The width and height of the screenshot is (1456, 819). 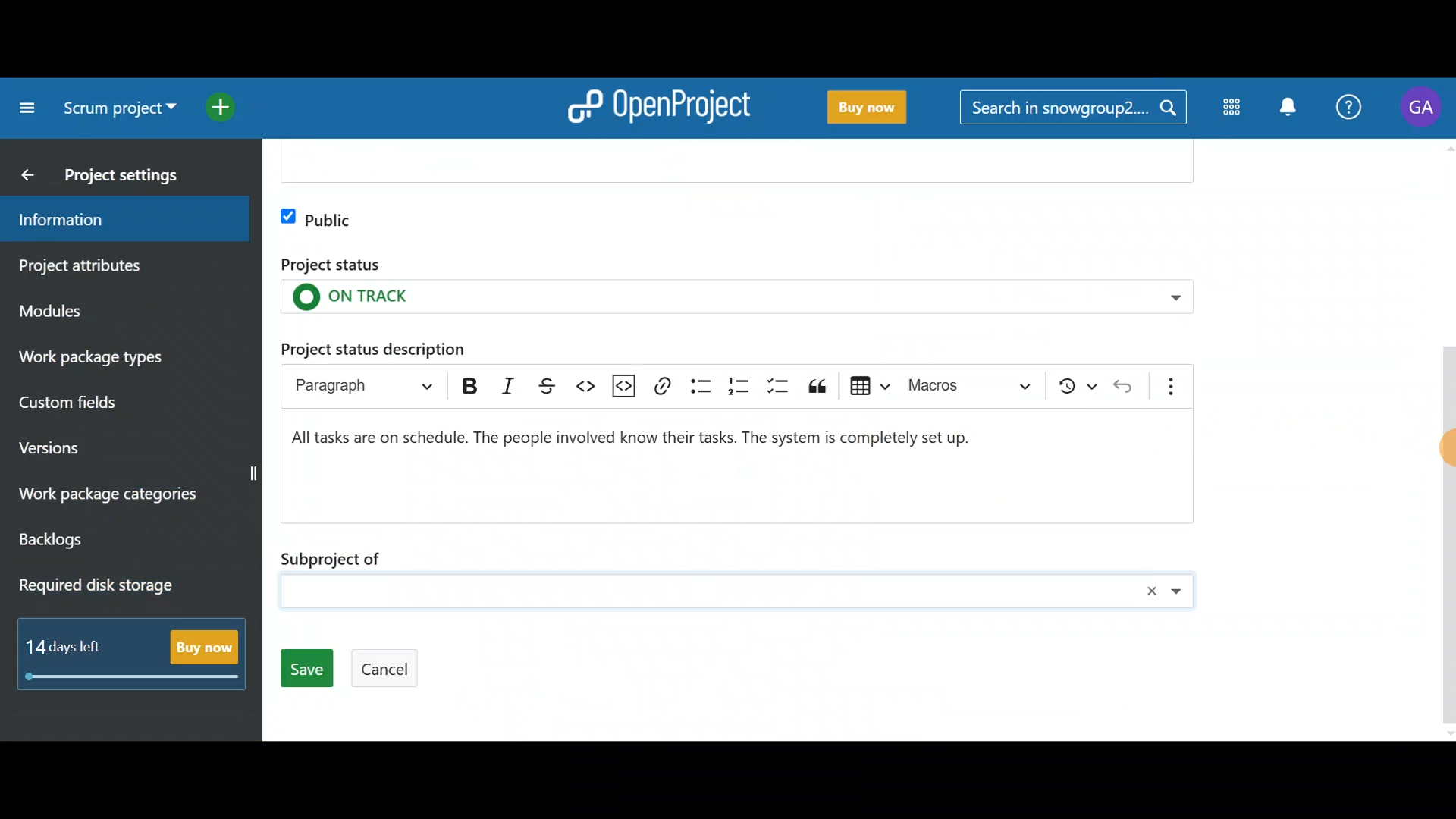 What do you see at coordinates (1228, 111) in the screenshot?
I see `Modules` at bounding box center [1228, 111].